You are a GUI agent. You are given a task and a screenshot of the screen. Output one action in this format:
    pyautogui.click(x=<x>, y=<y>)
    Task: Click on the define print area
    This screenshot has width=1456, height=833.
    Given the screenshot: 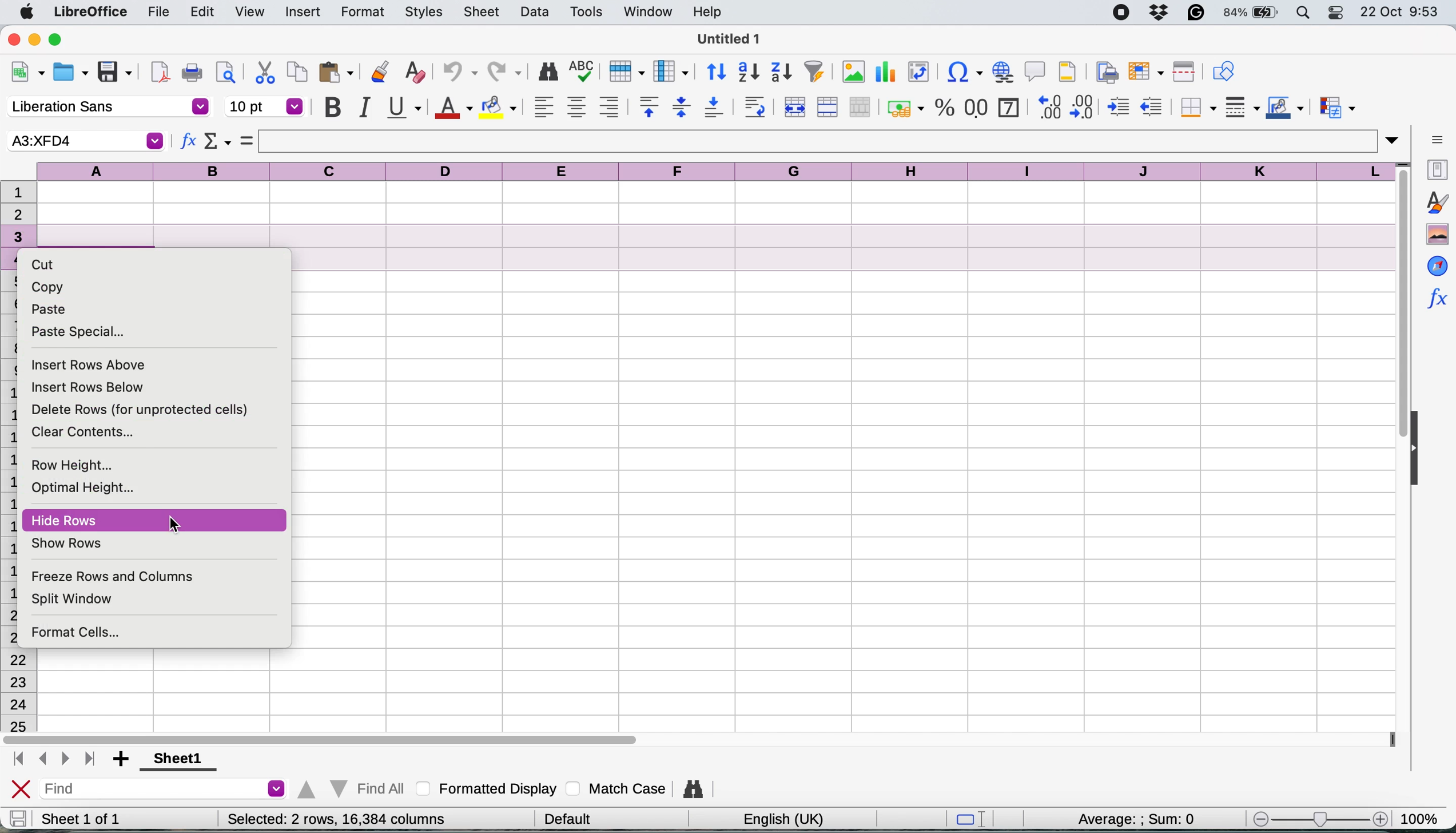 What is the action you would take?
    pyautogui.click(x=1104, y=71)
    